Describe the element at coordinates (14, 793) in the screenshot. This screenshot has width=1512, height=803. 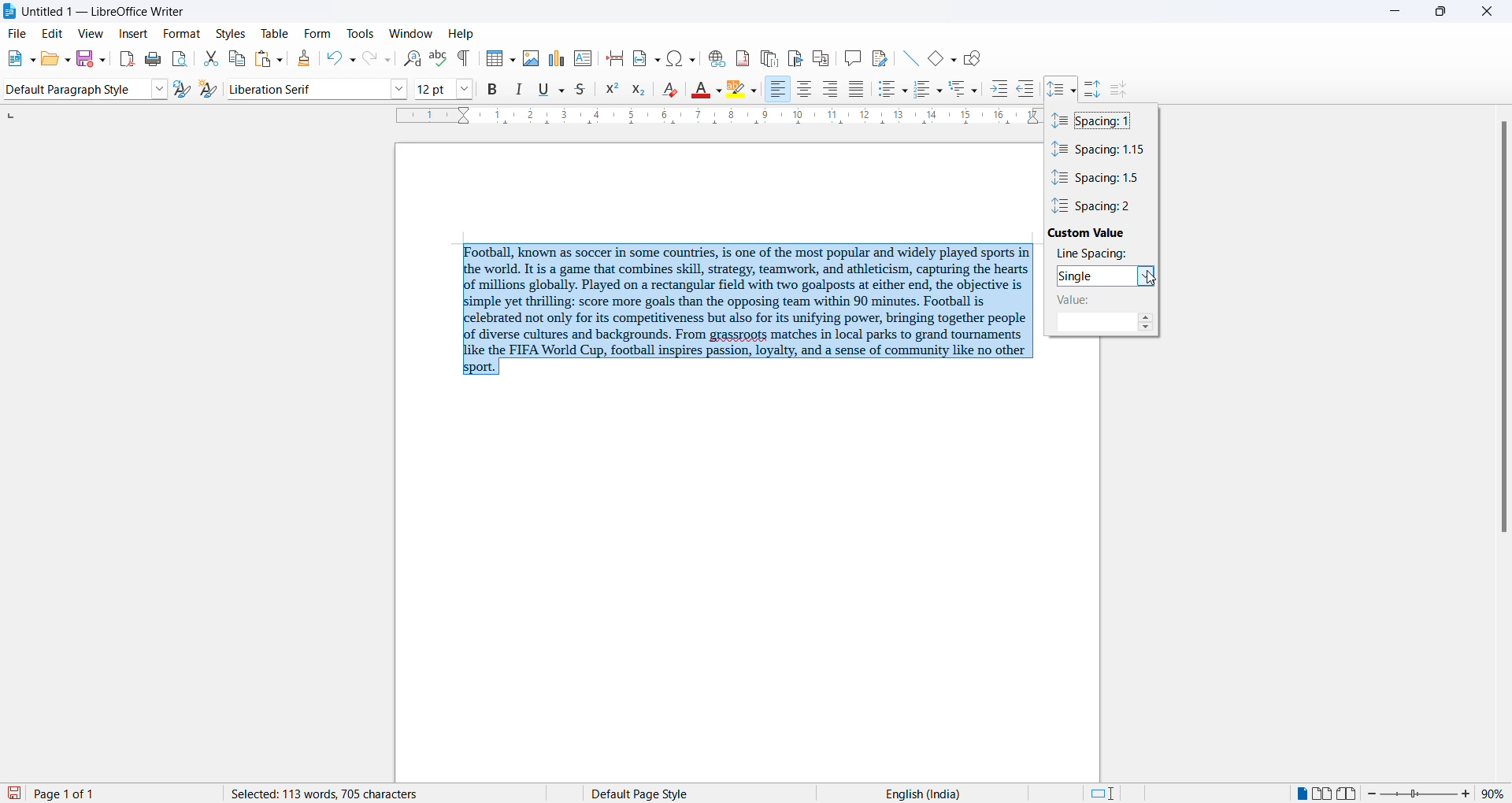
I see `save` at that location.